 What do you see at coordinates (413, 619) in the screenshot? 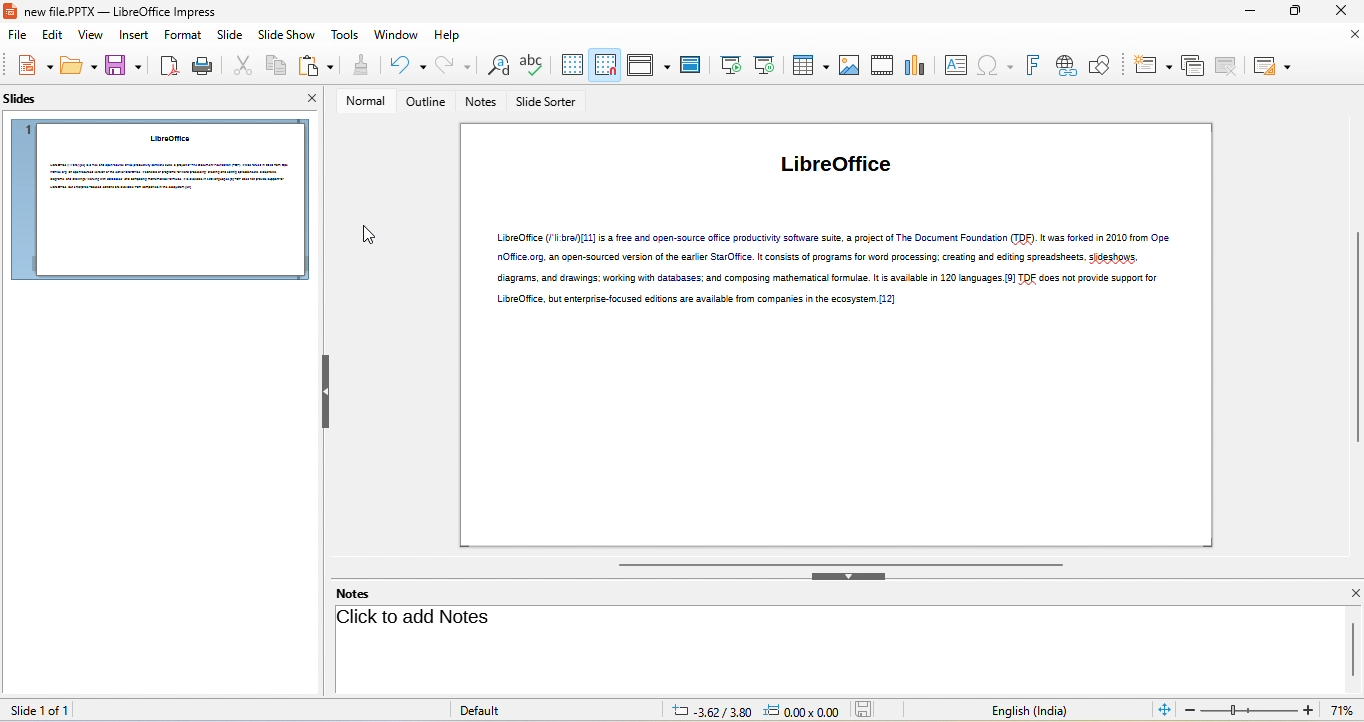
I see `click to add notes` at bounding box center [413, 619].